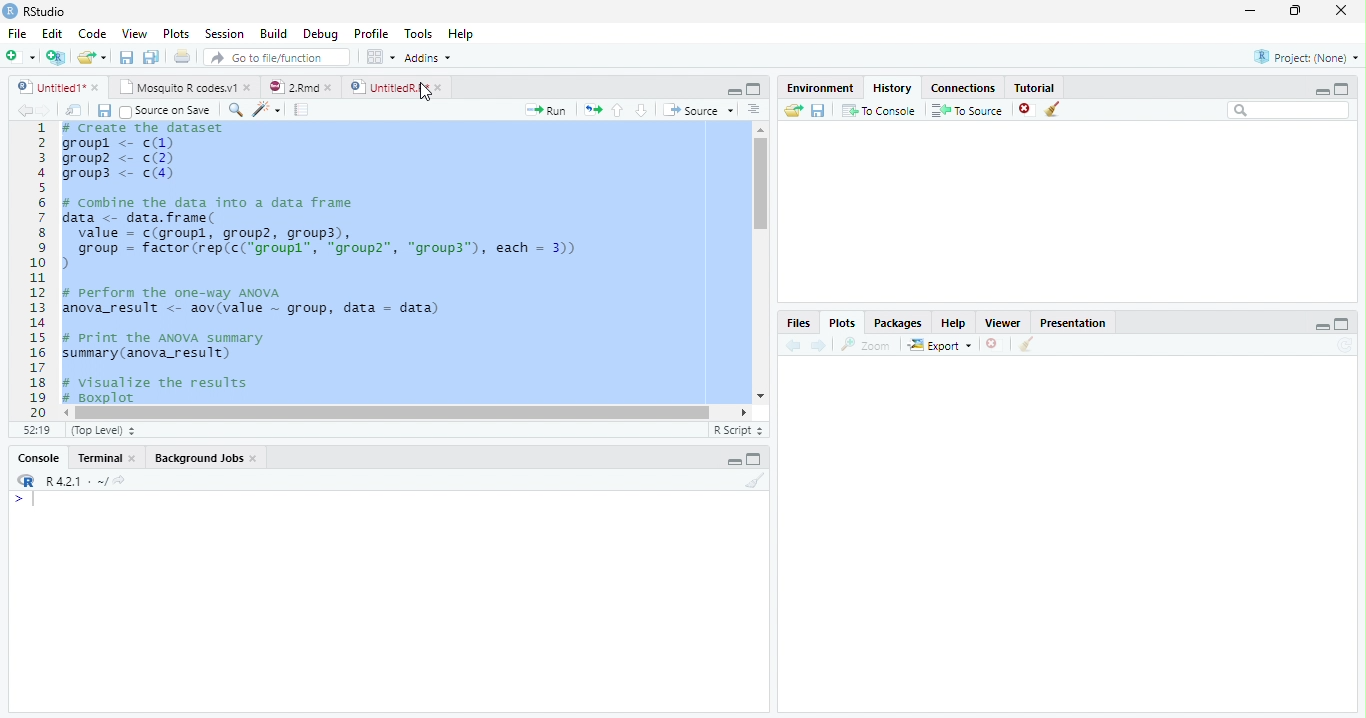 This screenshot has width=1366, height=718. Describe the element at coordinates (617, 109) in the screenshot. I see `Go to previous section` at that location.